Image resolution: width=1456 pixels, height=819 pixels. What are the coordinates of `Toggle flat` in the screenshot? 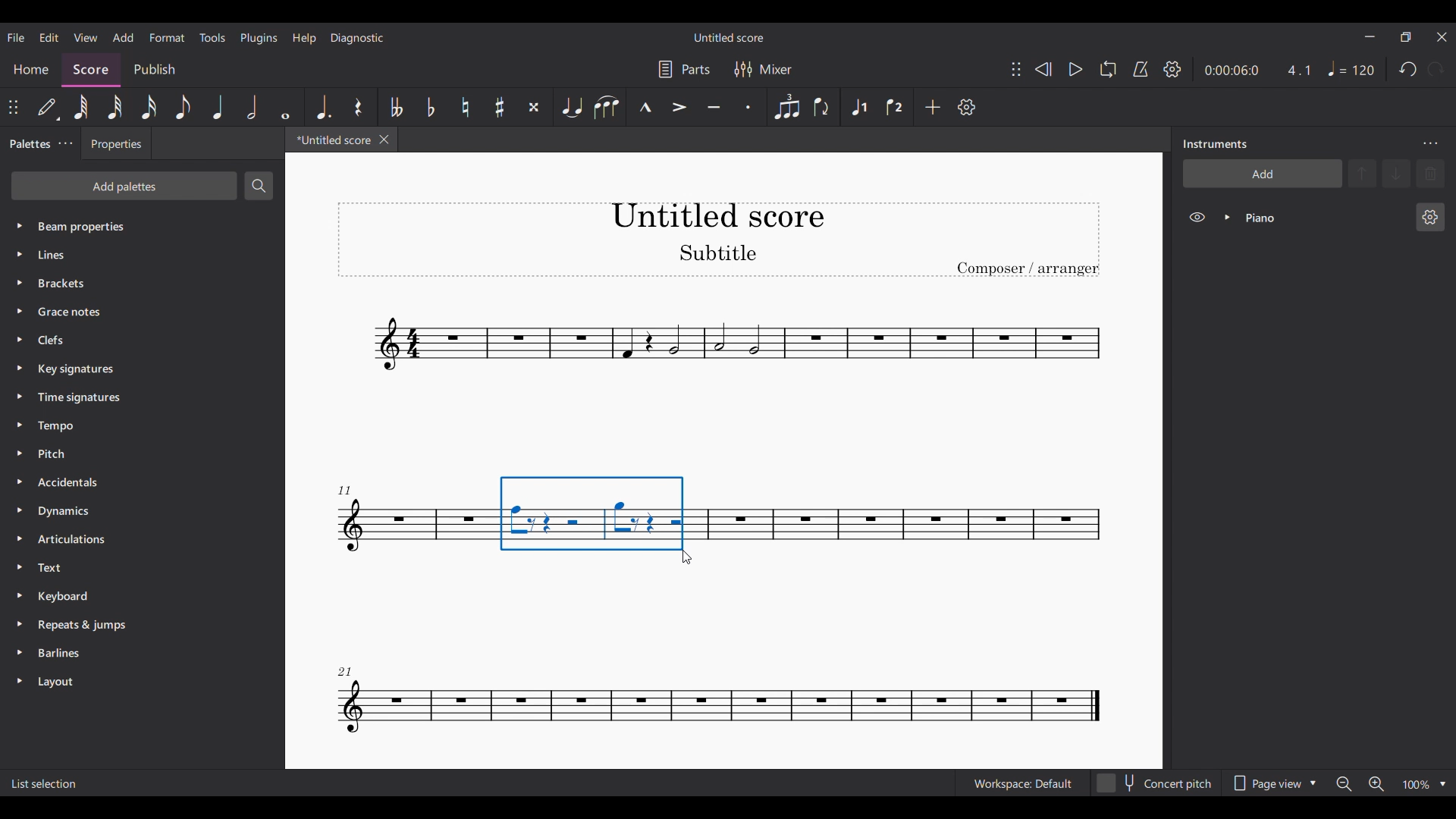 It's located at (431, 107).